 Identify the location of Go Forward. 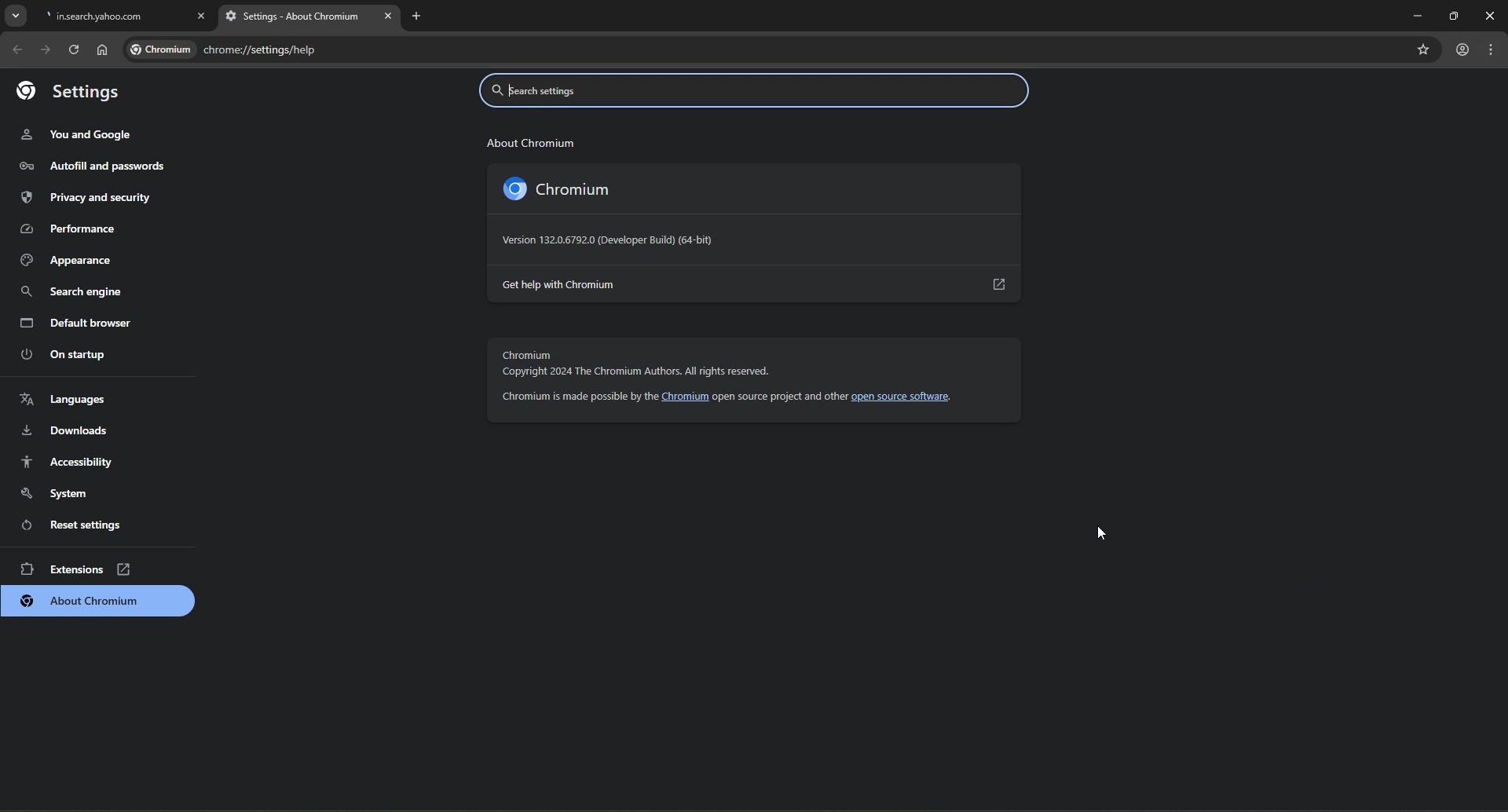
(45, 49).